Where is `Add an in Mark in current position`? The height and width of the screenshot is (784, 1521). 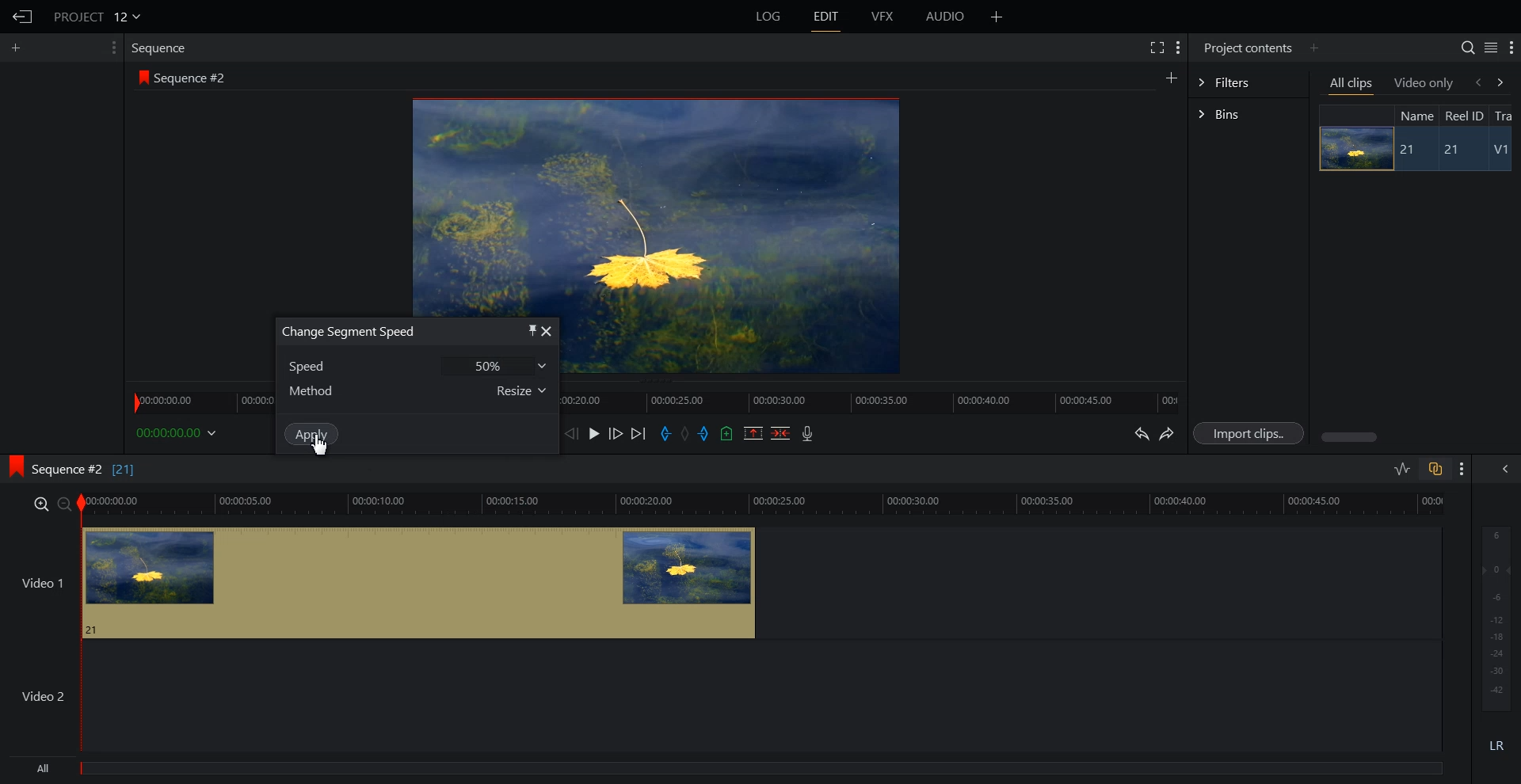 Add an in Mark in current position is located at coordinates (664, 434).